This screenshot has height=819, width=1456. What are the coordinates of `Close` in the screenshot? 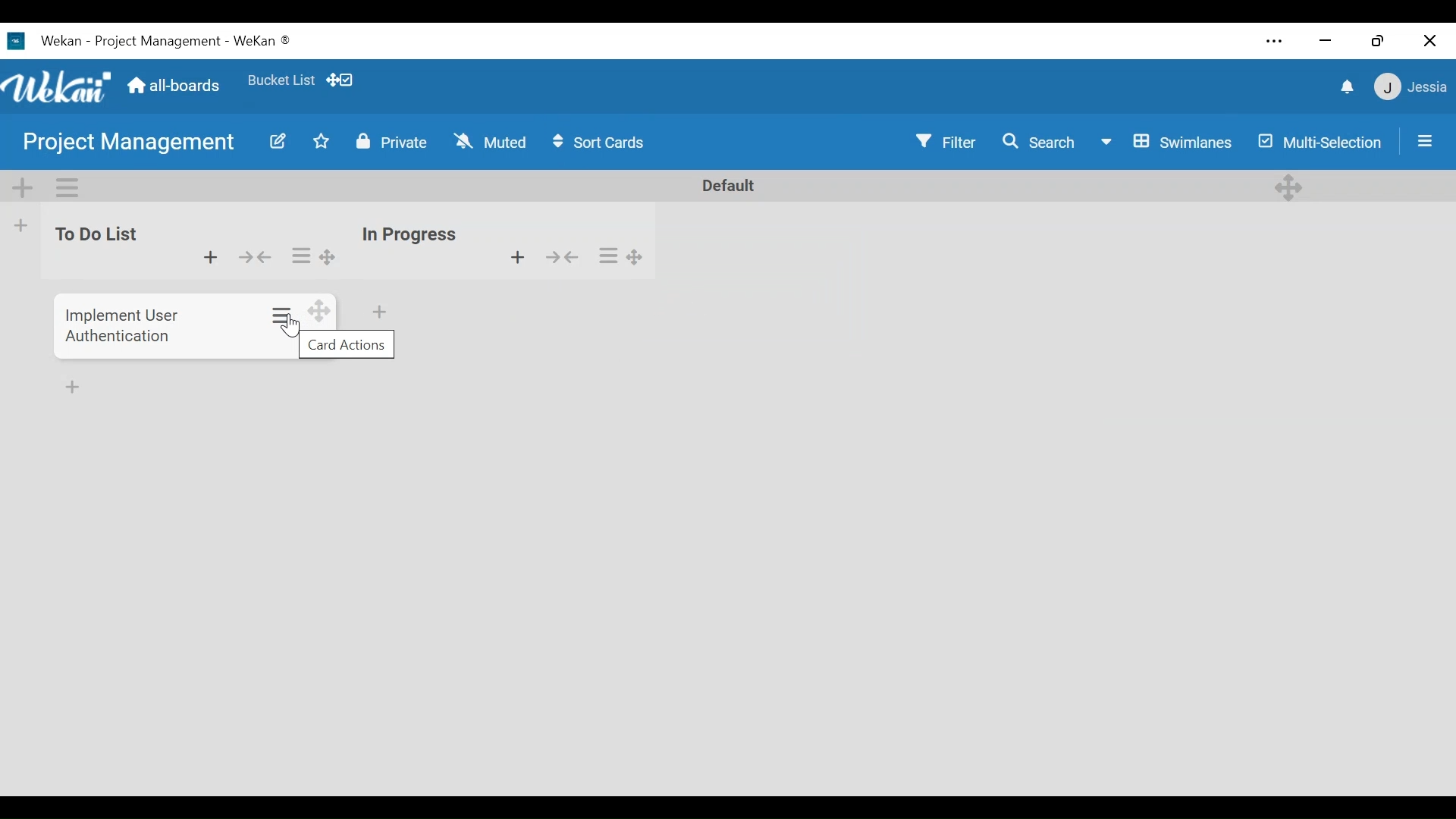 It's located at (1432, 40).